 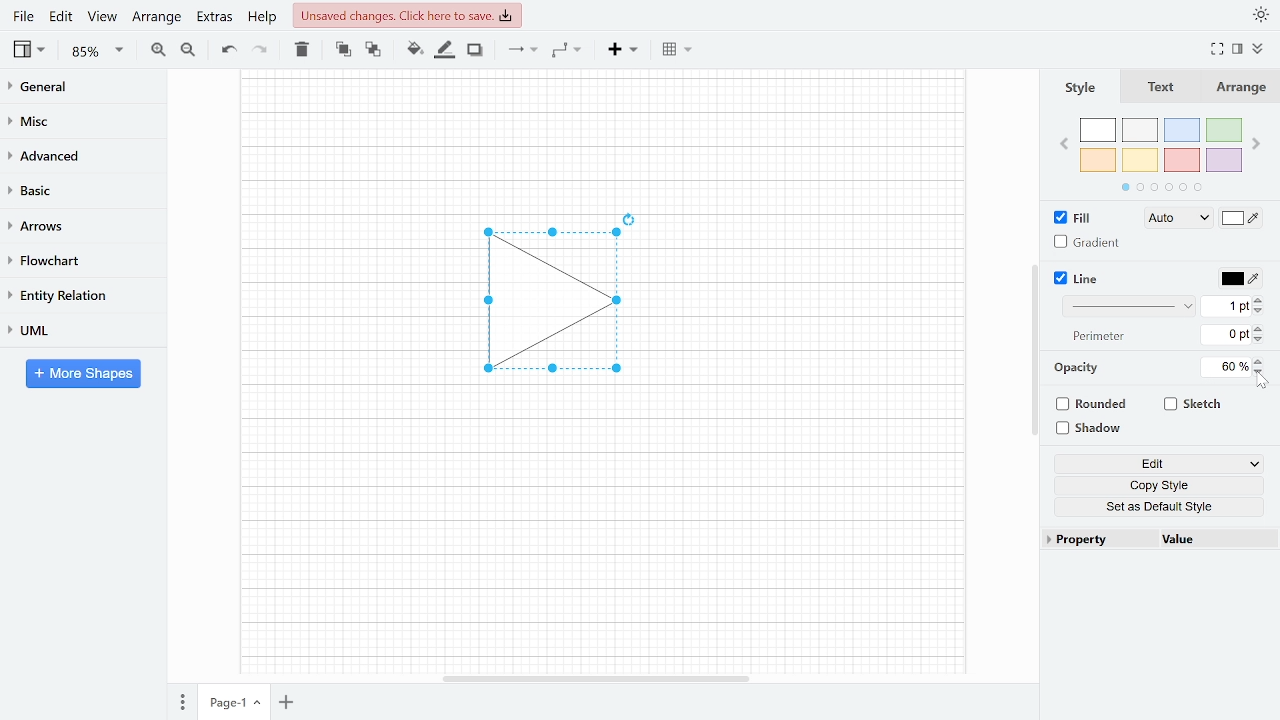 I want to click on workspace, so click(x=343, y=302).